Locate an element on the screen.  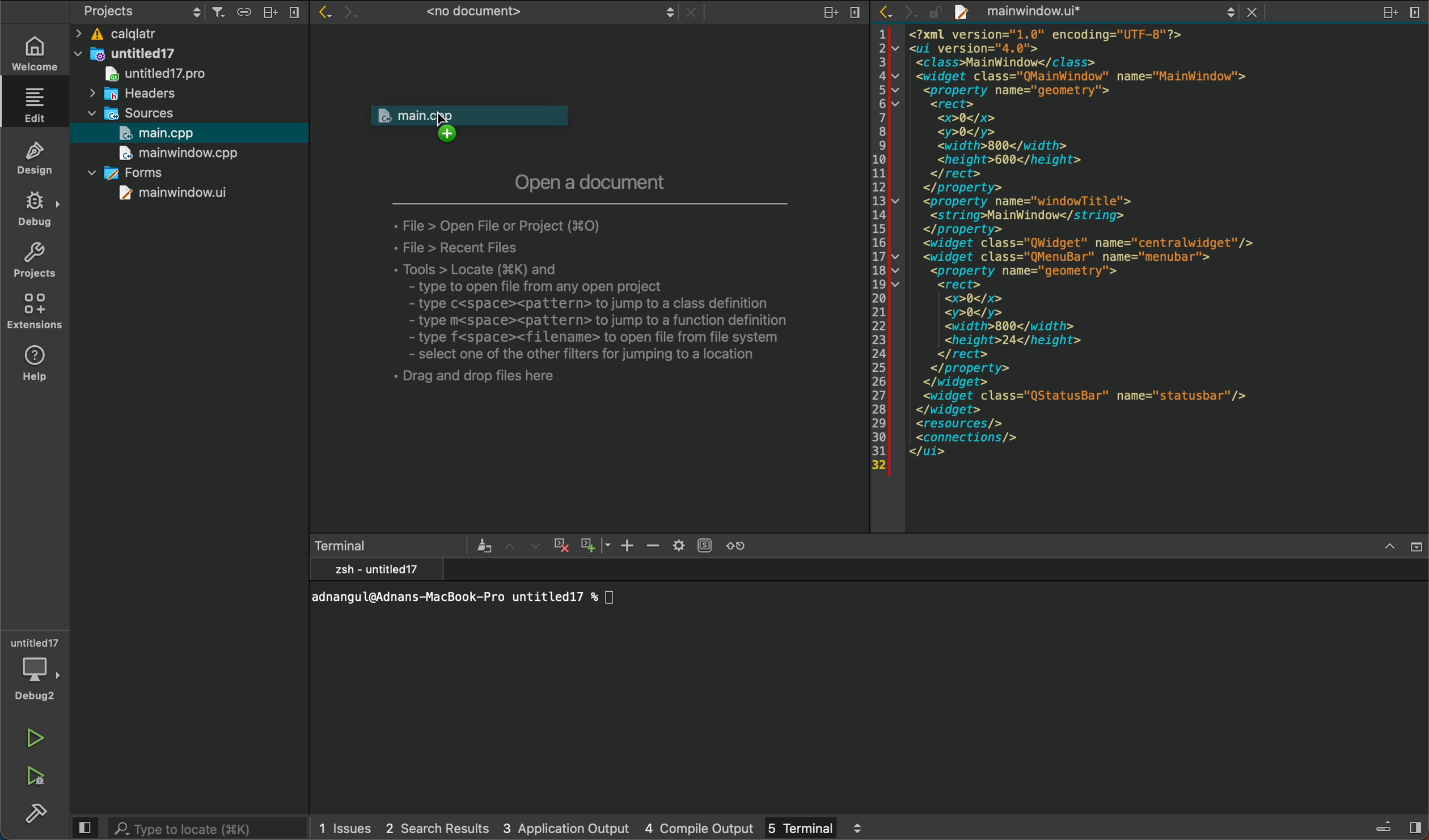
issues is located at coordinates (346, 827).